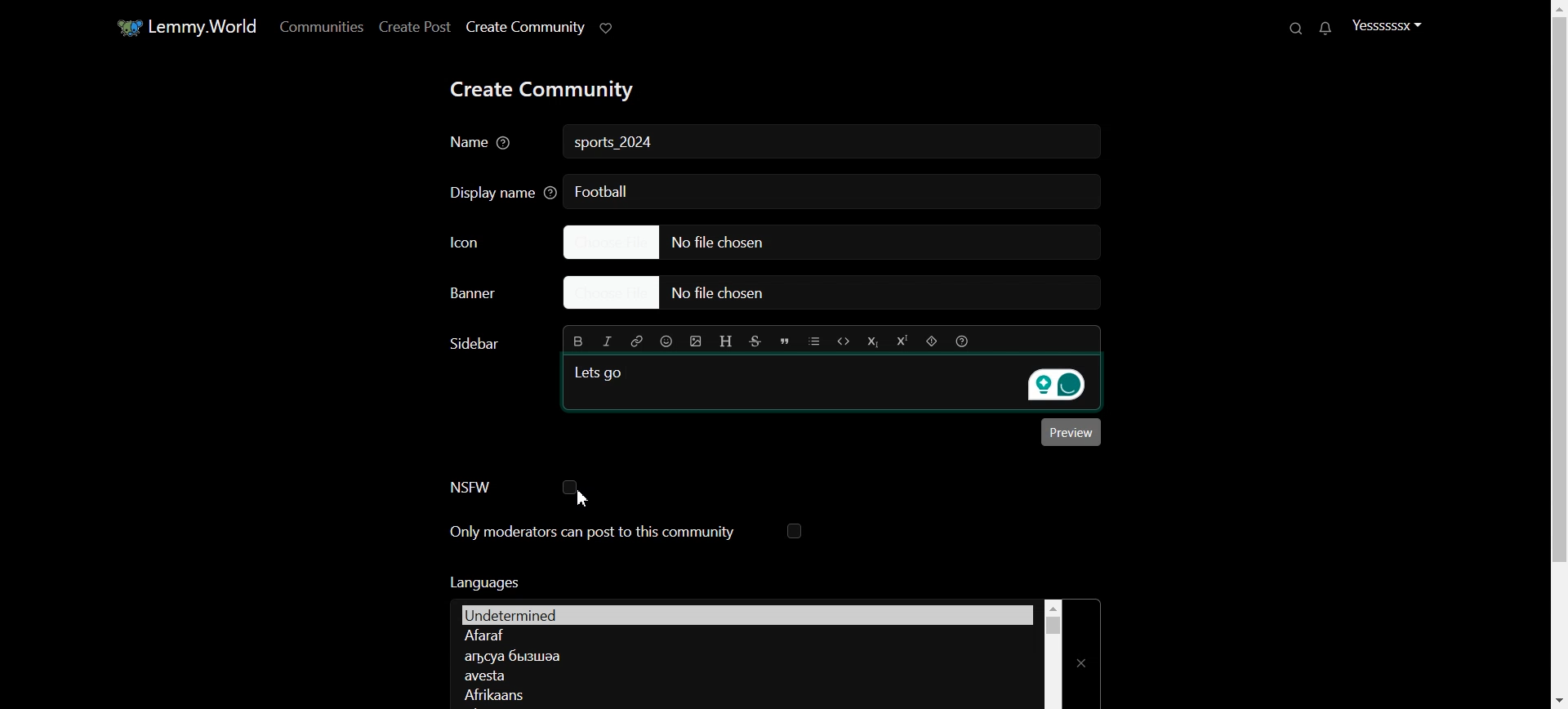 Image resolution: width=1568 pixels, height=709 pixels. What do you see at coordinates (1053, 653) in the screenshot?
I see `Vertical scroll bar` at bounding box center [1053, 653].